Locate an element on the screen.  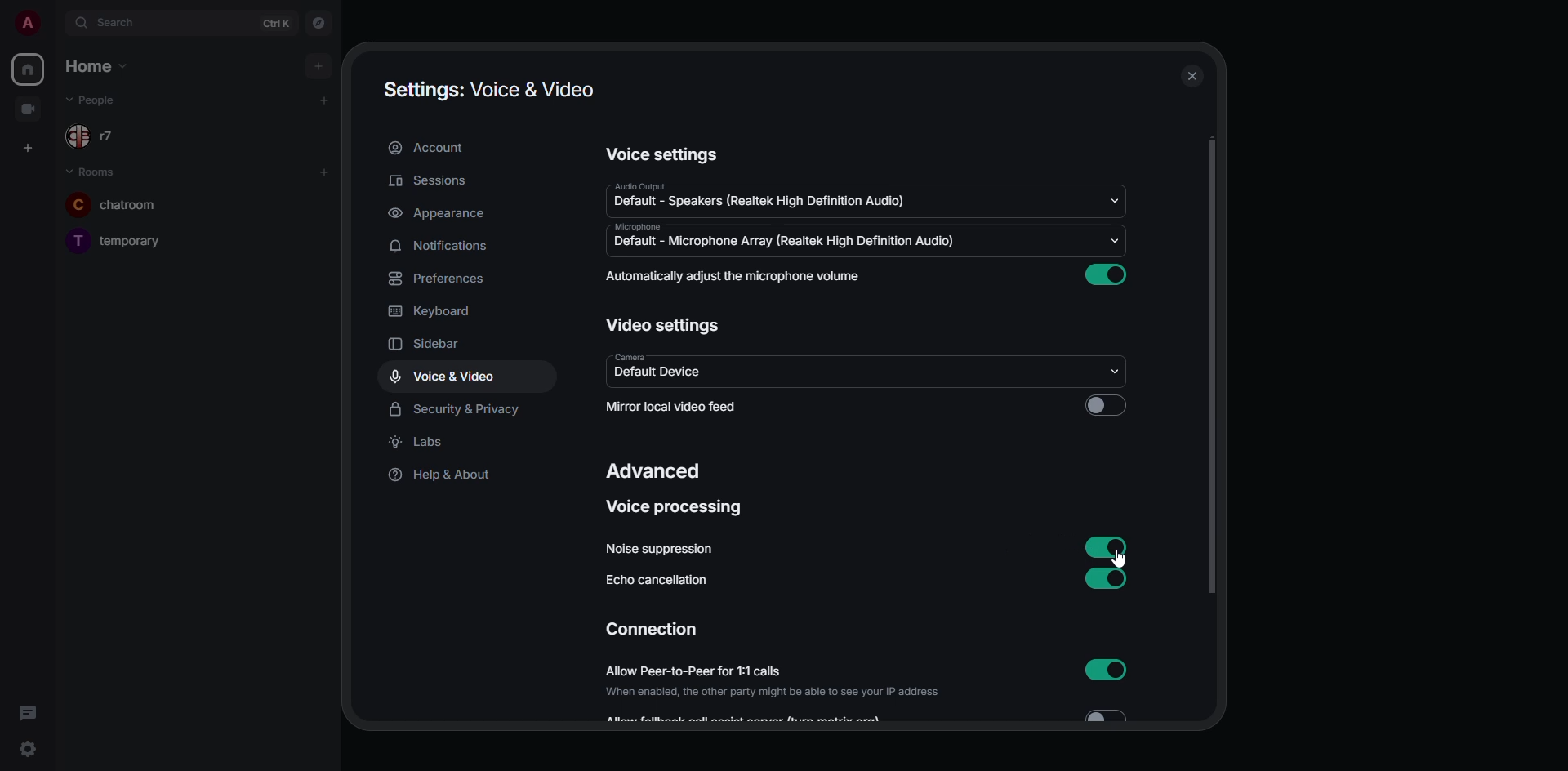
camera is located at coordinates (632, 356).